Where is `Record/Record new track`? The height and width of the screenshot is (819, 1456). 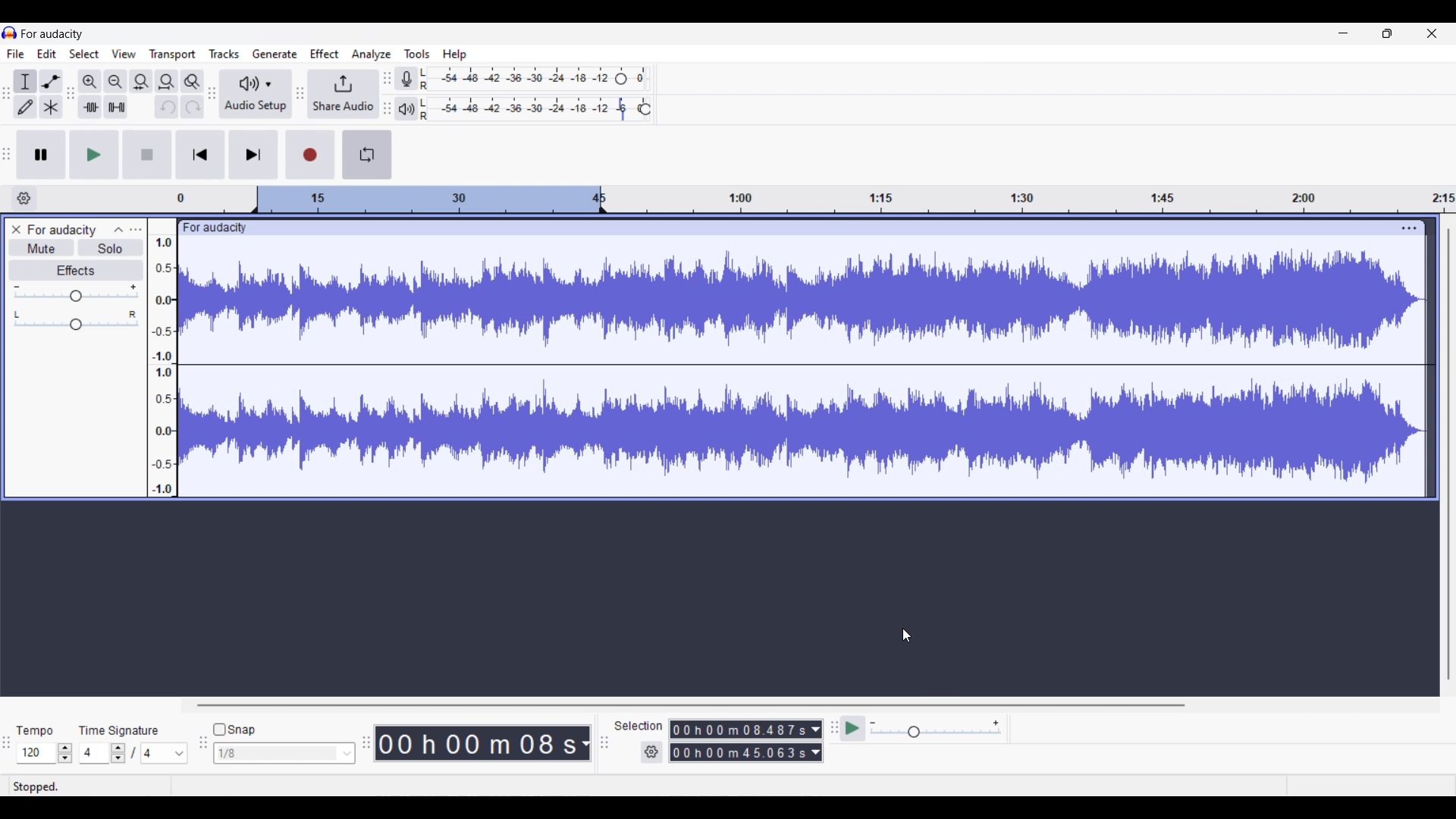 Record/Record new track is located at coordinates (311, 155).